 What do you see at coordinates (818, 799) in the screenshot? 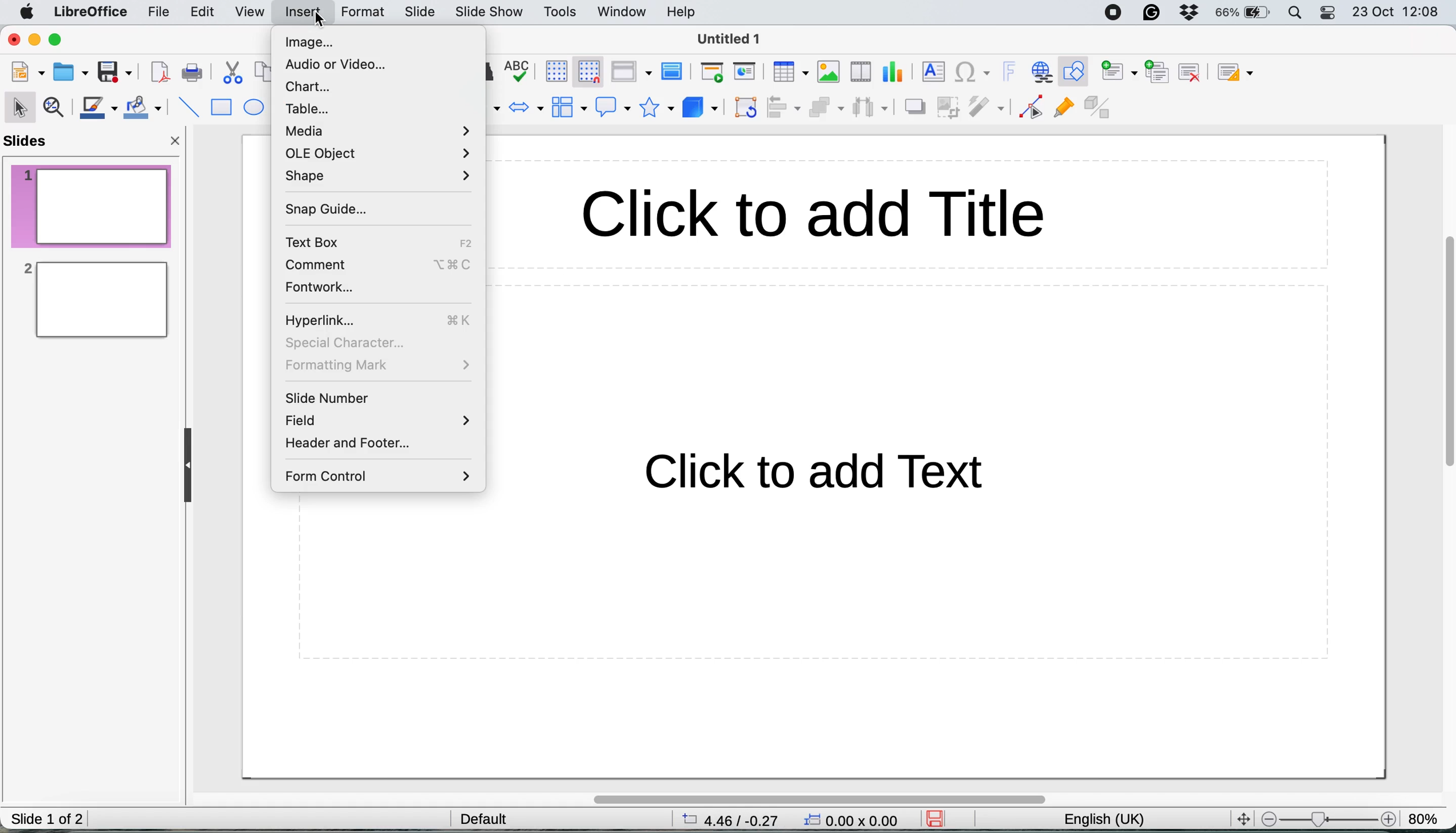
I see `horizontal scroll bar` at bounding box center [818, 799].